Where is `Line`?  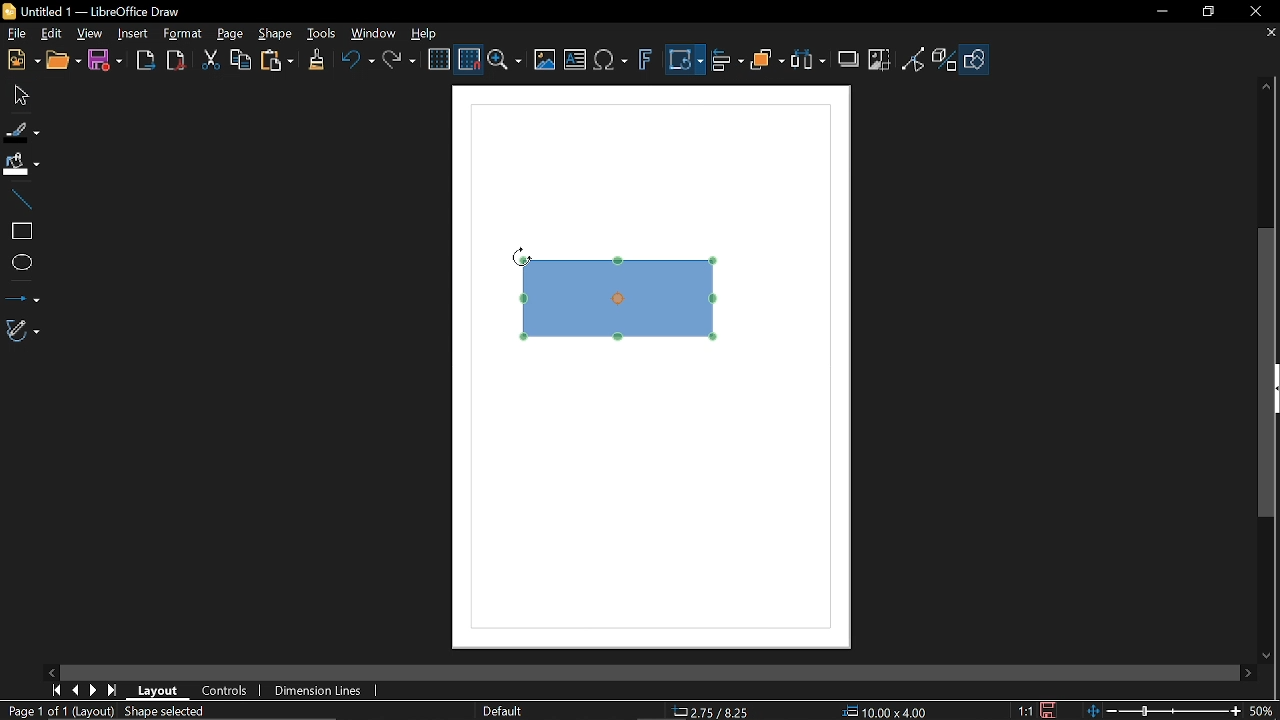 Line is located at coordinates (18, 200).